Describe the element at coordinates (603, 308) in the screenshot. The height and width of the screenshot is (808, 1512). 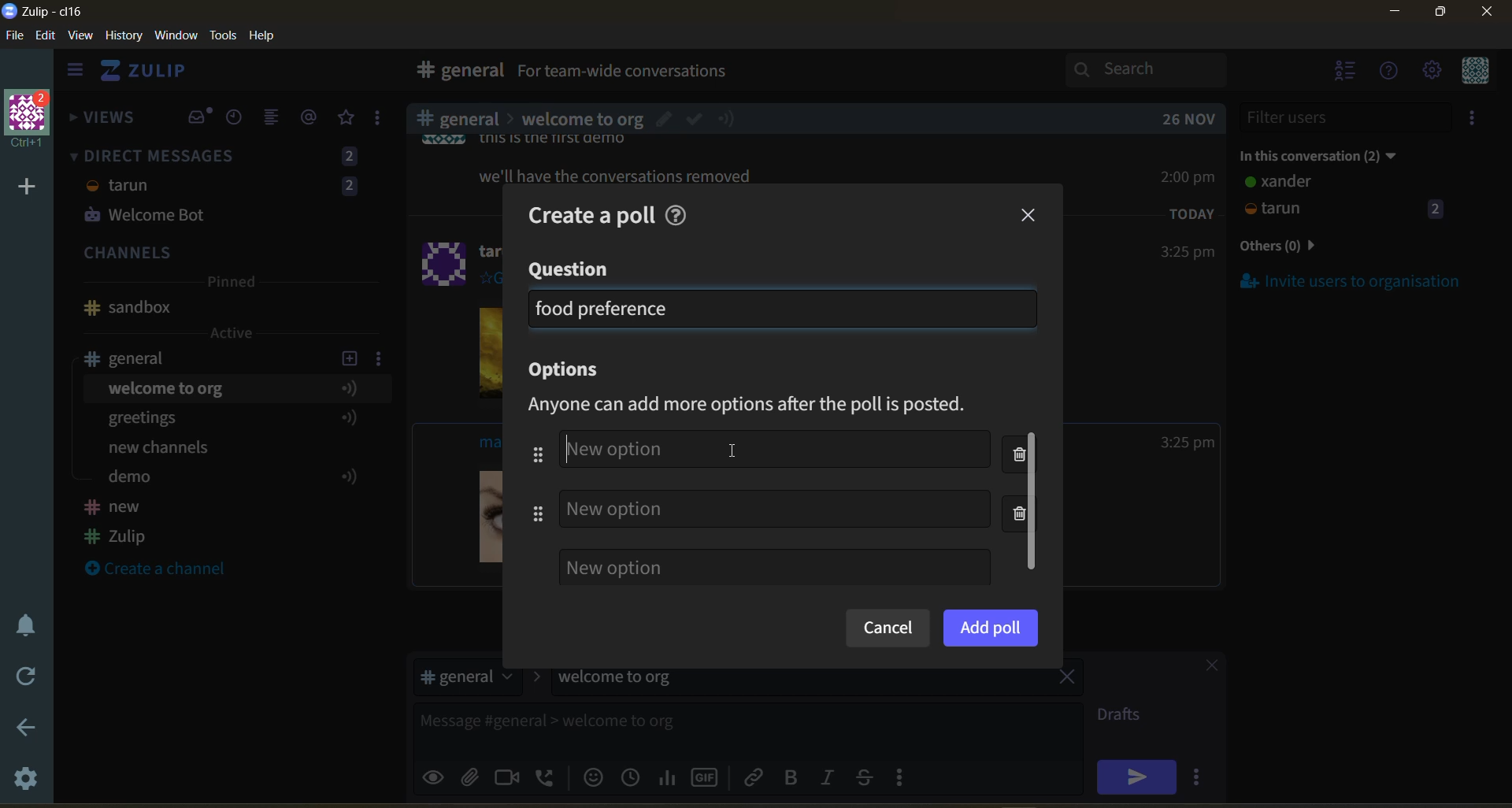
I see `food preference` at that location.